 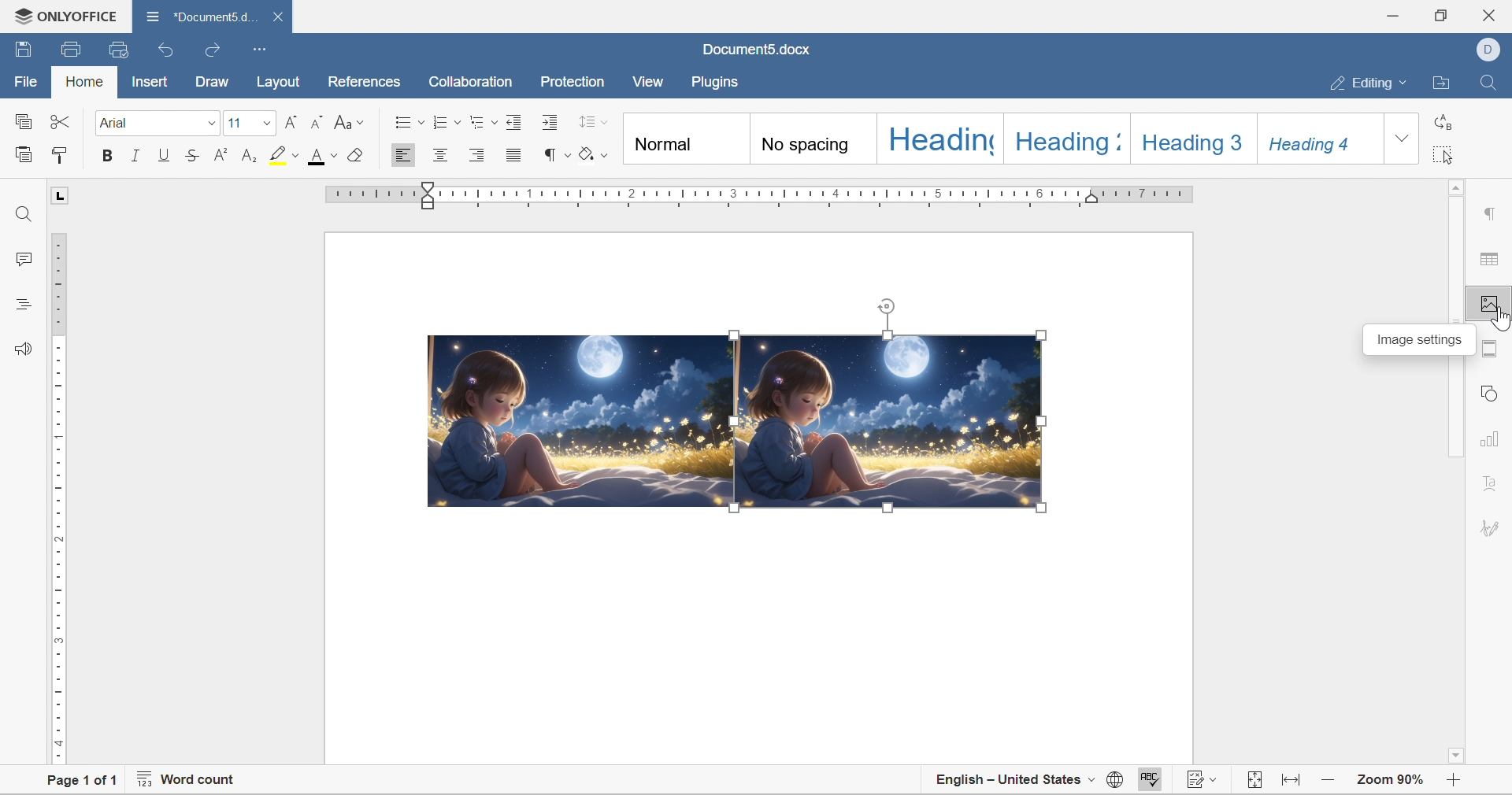 I want to click on paste, so click(x=24, y=153).